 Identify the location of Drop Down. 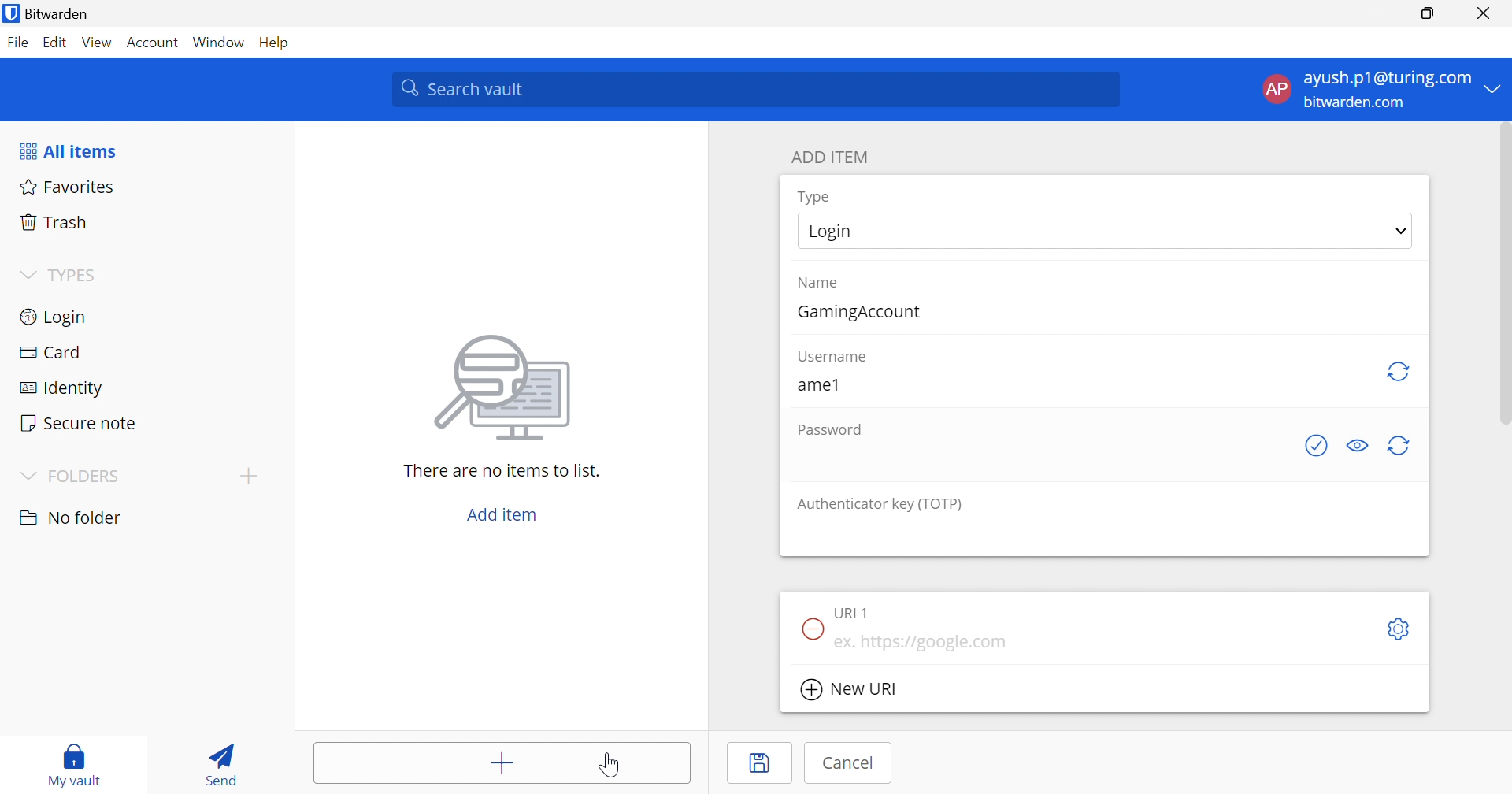
(1497, 87).